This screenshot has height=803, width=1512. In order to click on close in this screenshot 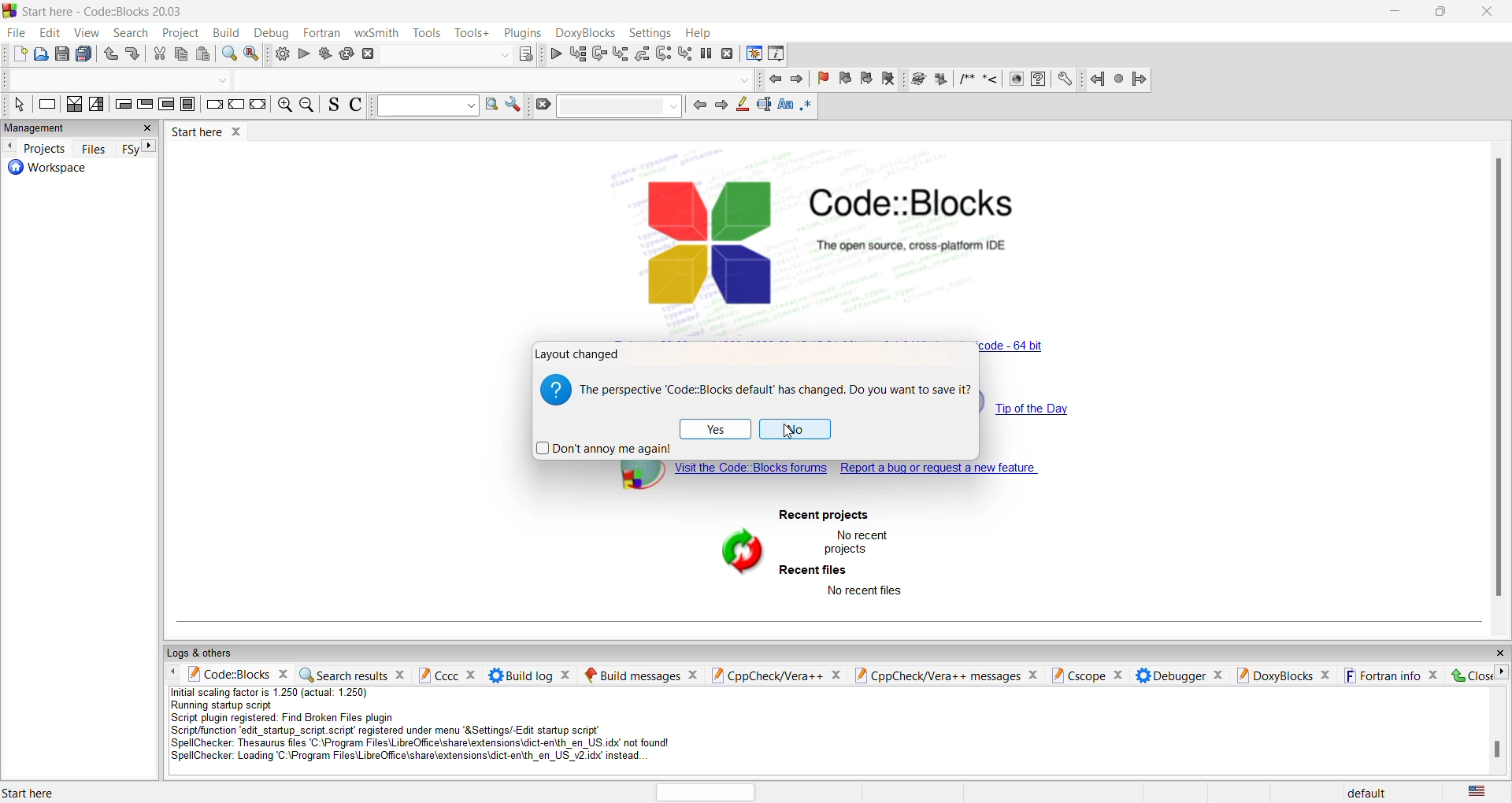, I will do `click(1220, 675)`.